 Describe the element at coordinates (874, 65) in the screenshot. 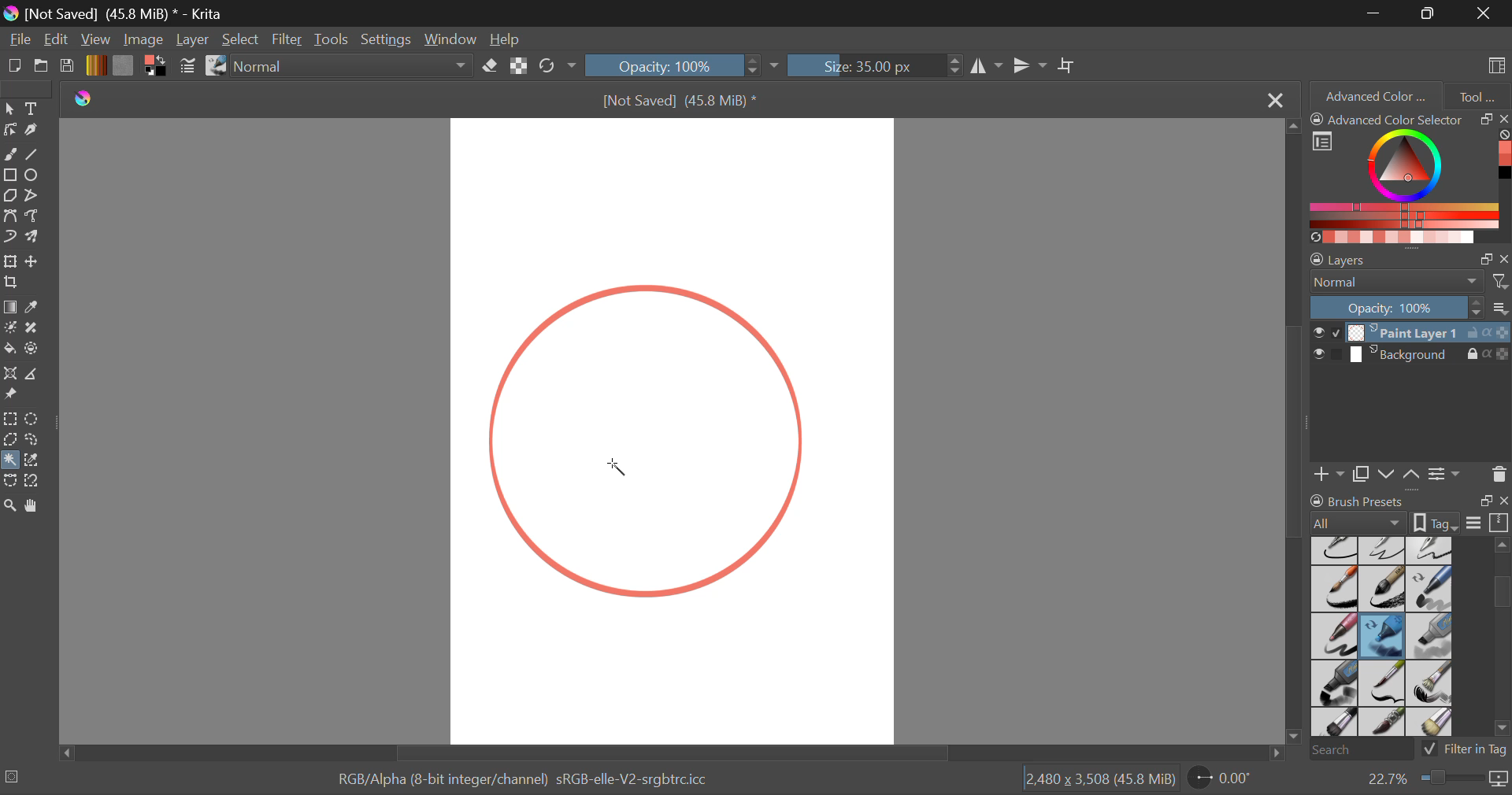

I see `Size : 35px` at that location.